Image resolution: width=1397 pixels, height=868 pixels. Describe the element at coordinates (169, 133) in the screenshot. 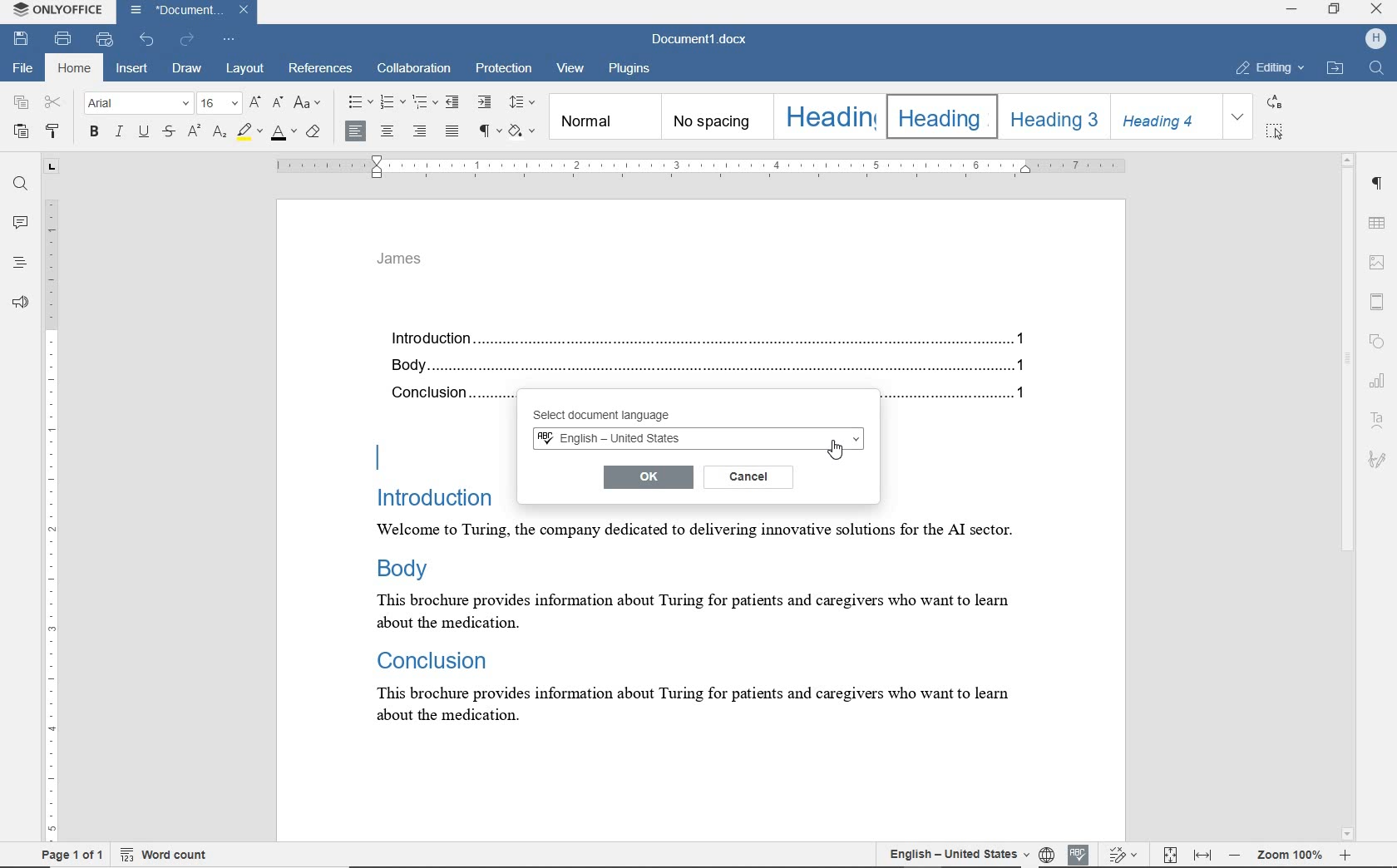

I see `strikethrough` at that location.